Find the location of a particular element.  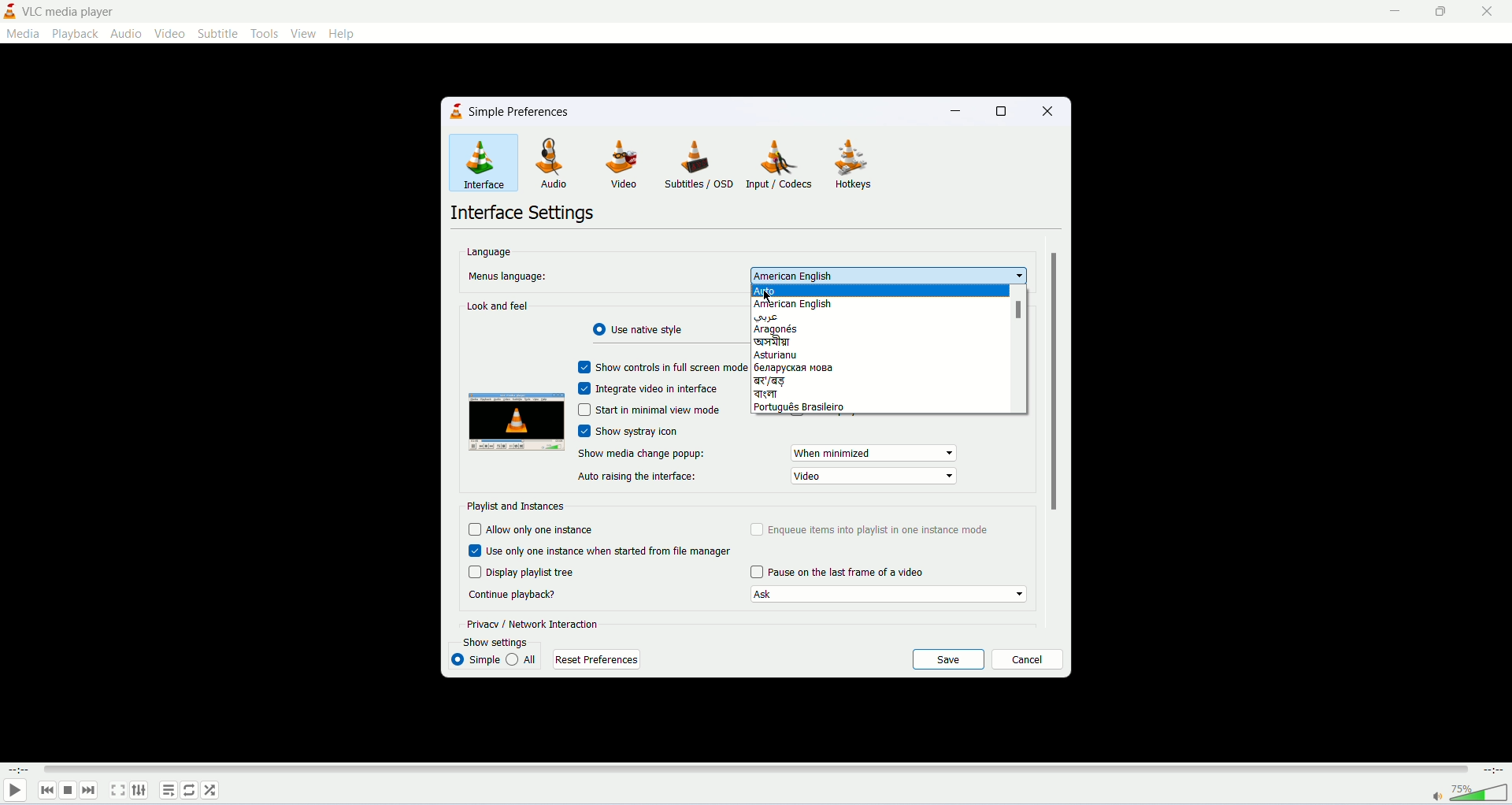

playlist is located at coordinates (169, 790).